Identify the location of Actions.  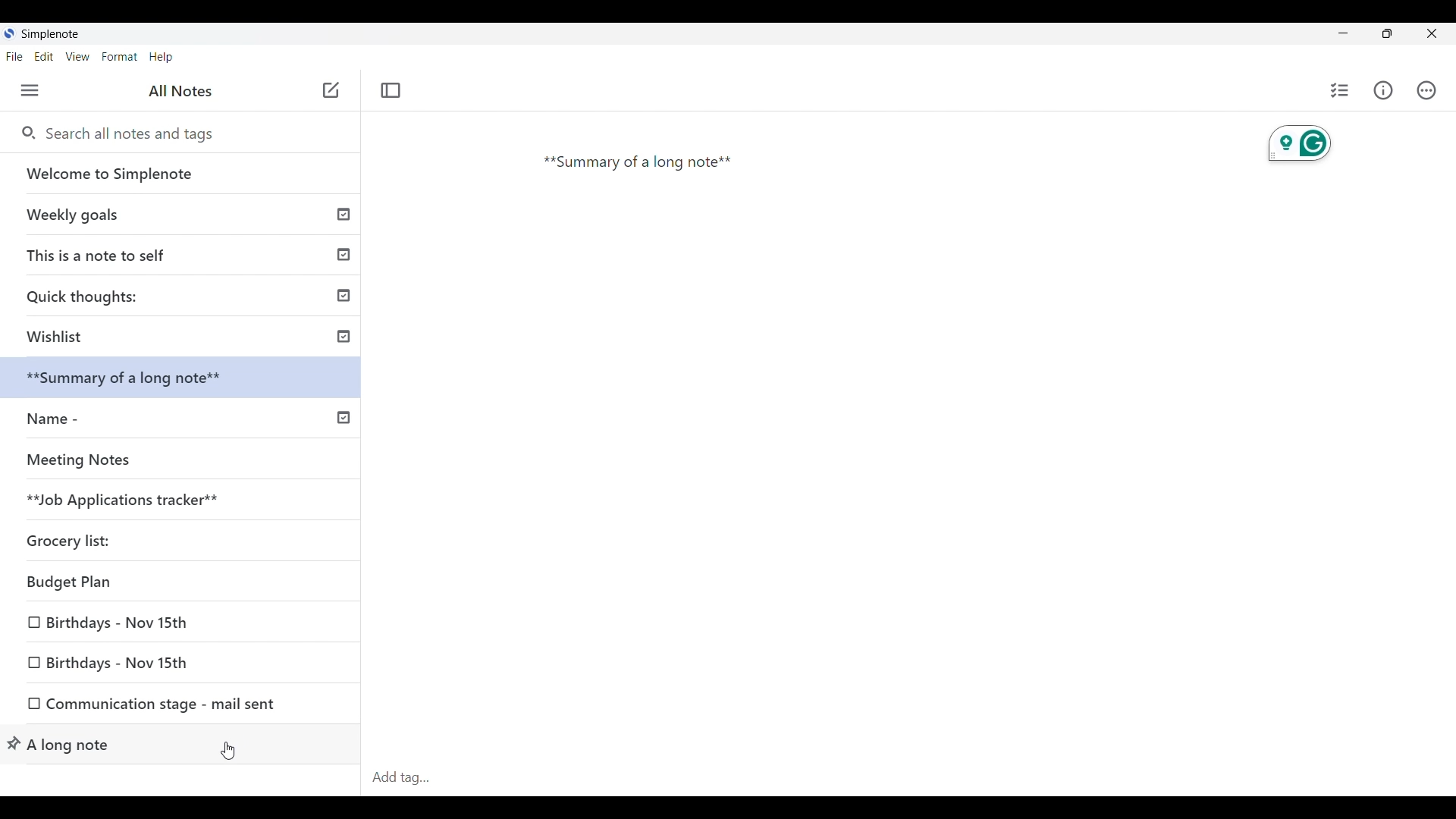
(1427, 90).